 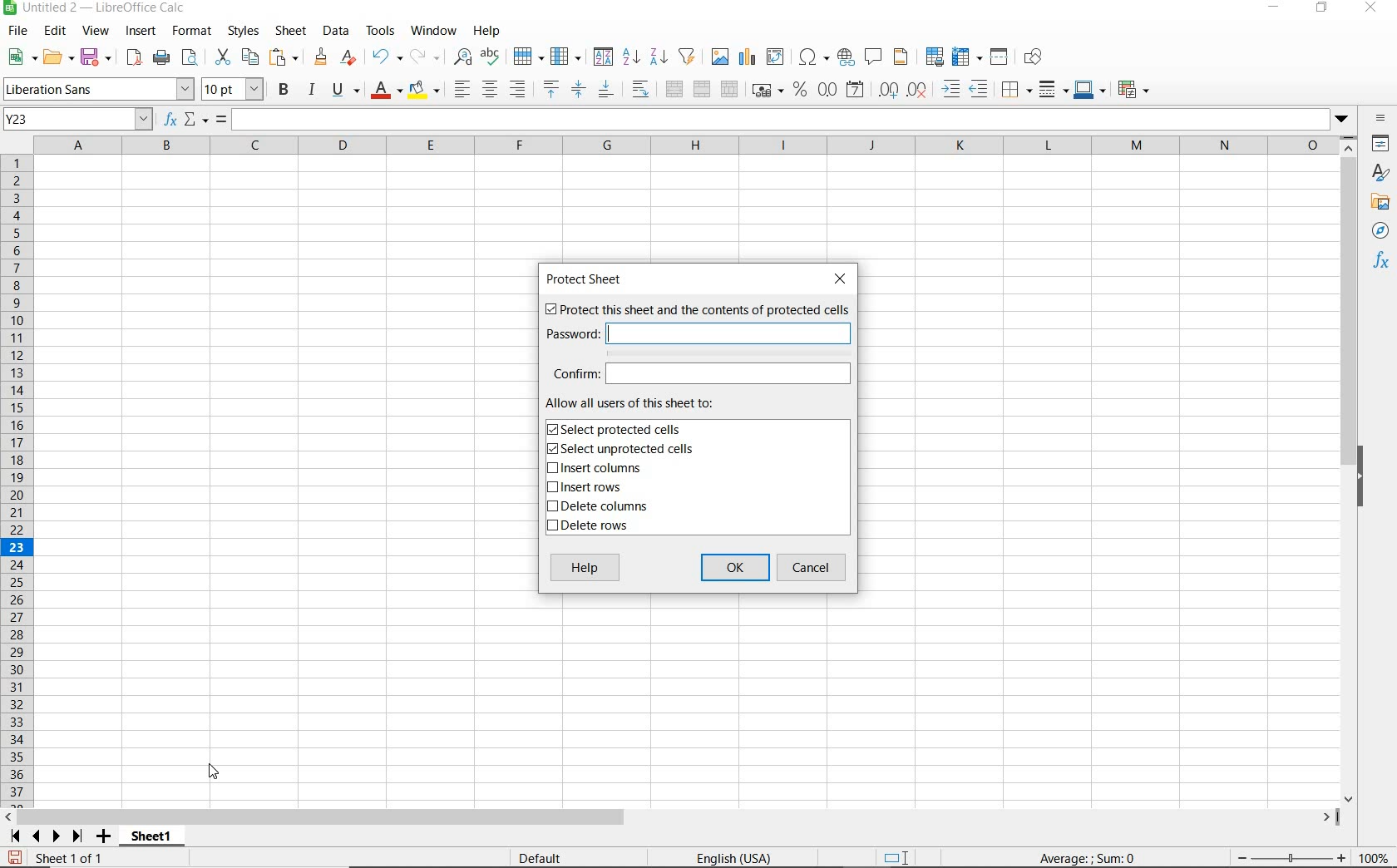 What do you see at coordinates (605, 508) in the screenshot?
I see `DELETE COLUMNS` at bounding box center [605, 508].